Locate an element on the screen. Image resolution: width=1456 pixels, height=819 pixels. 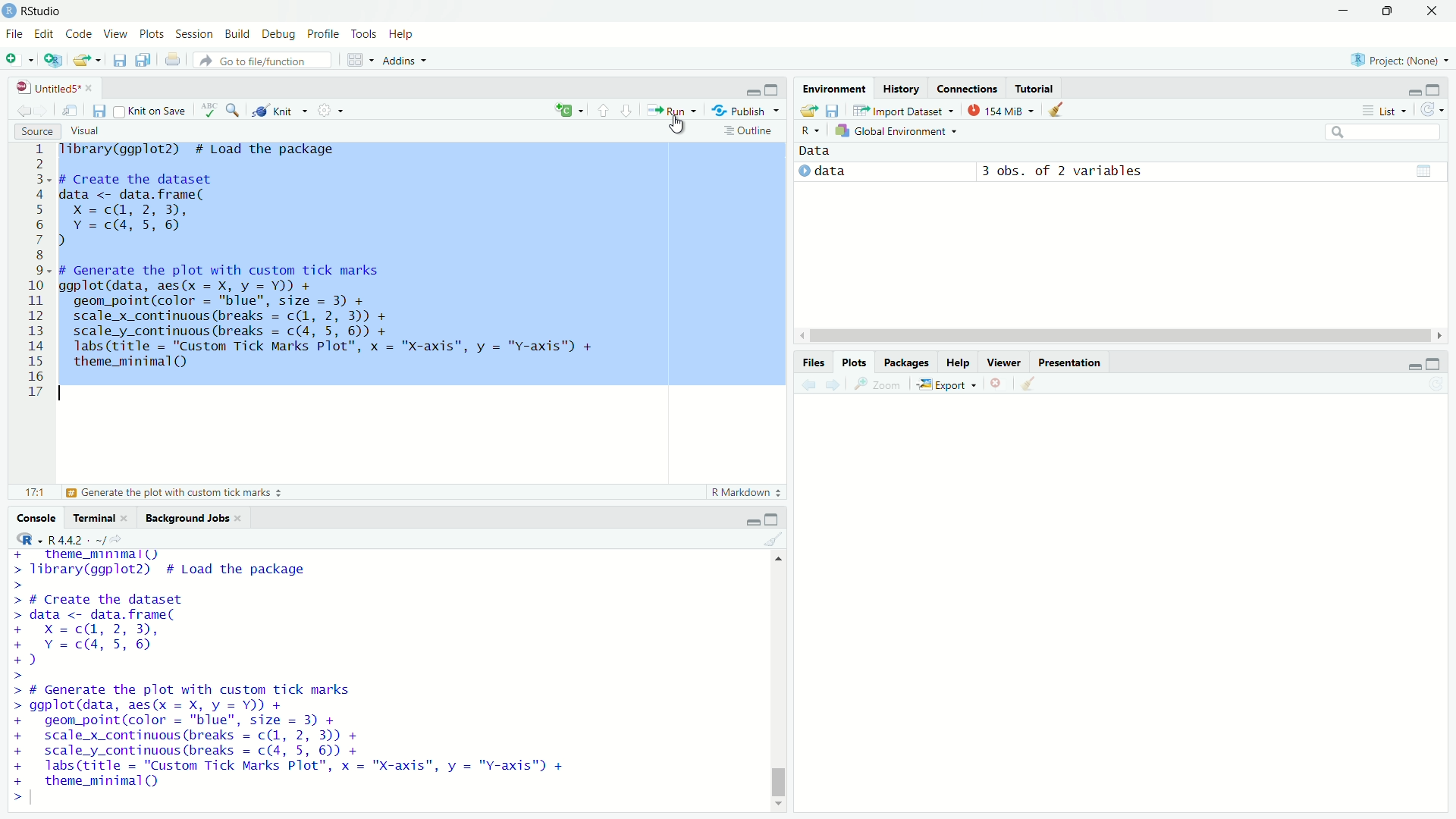
plots is located at coordinates (855, 362).